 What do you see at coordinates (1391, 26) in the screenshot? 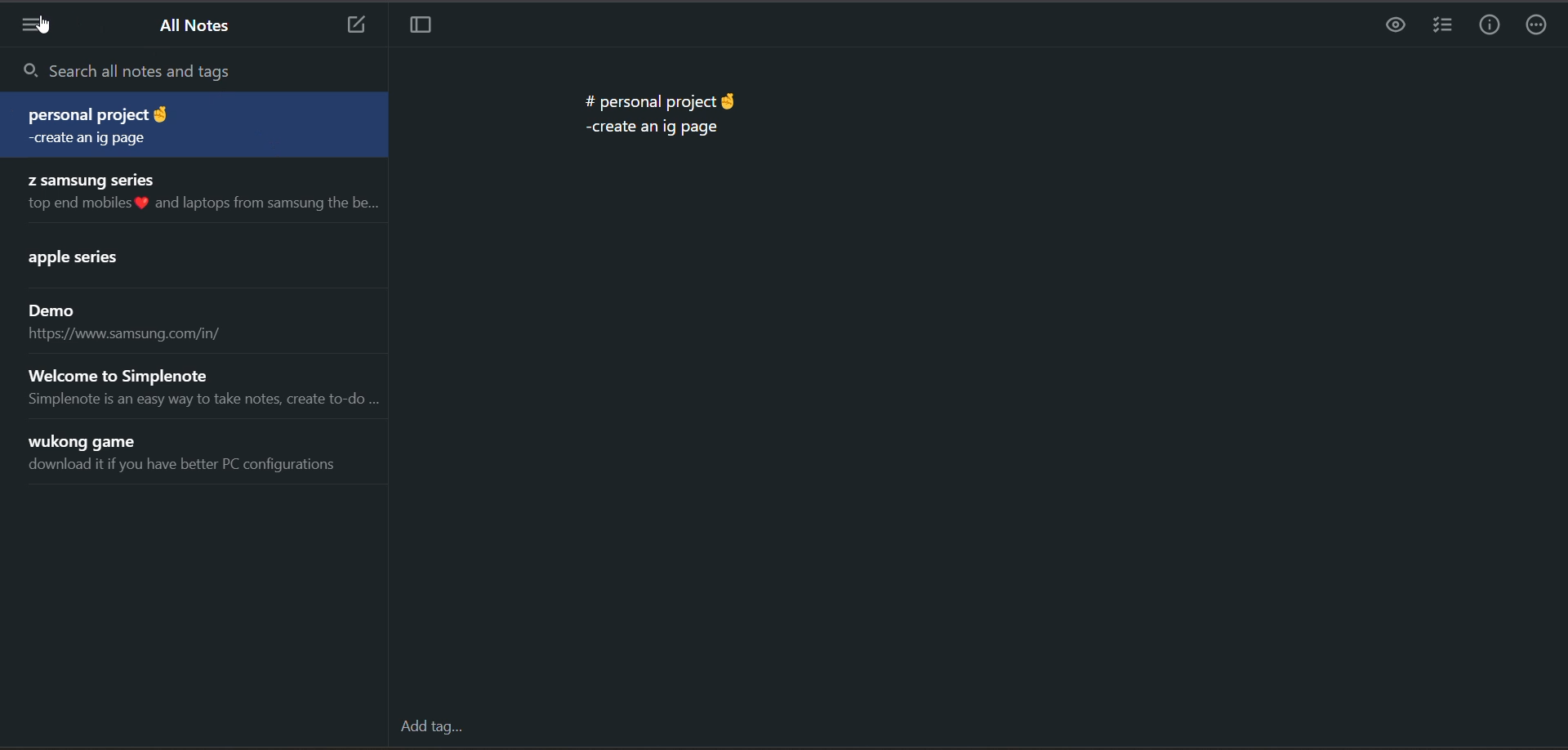
I see `preview` at bounding box center [1391, 26].